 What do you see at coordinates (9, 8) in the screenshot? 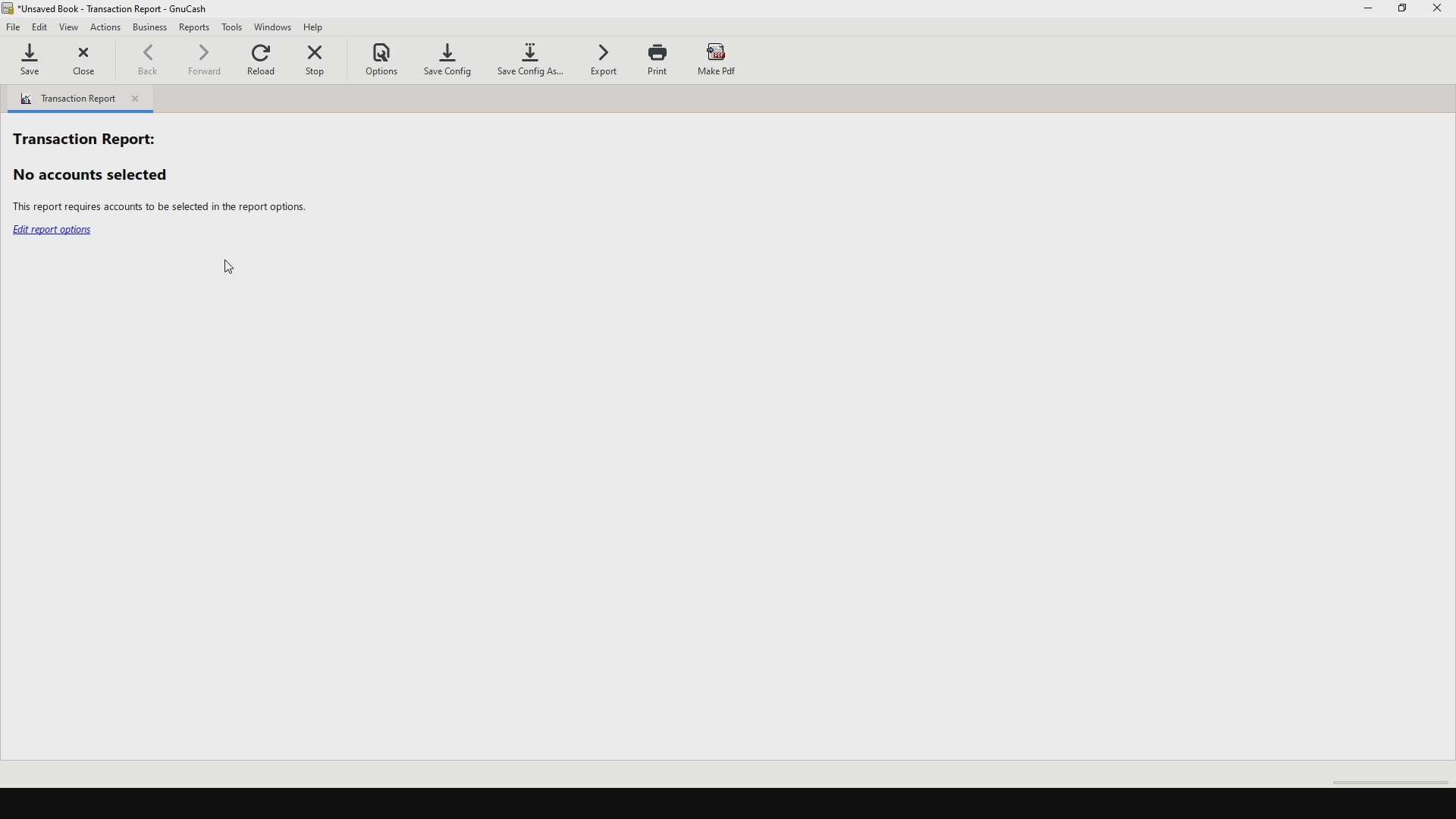
I see `gnucash logo` at bounding box center [9, 8].